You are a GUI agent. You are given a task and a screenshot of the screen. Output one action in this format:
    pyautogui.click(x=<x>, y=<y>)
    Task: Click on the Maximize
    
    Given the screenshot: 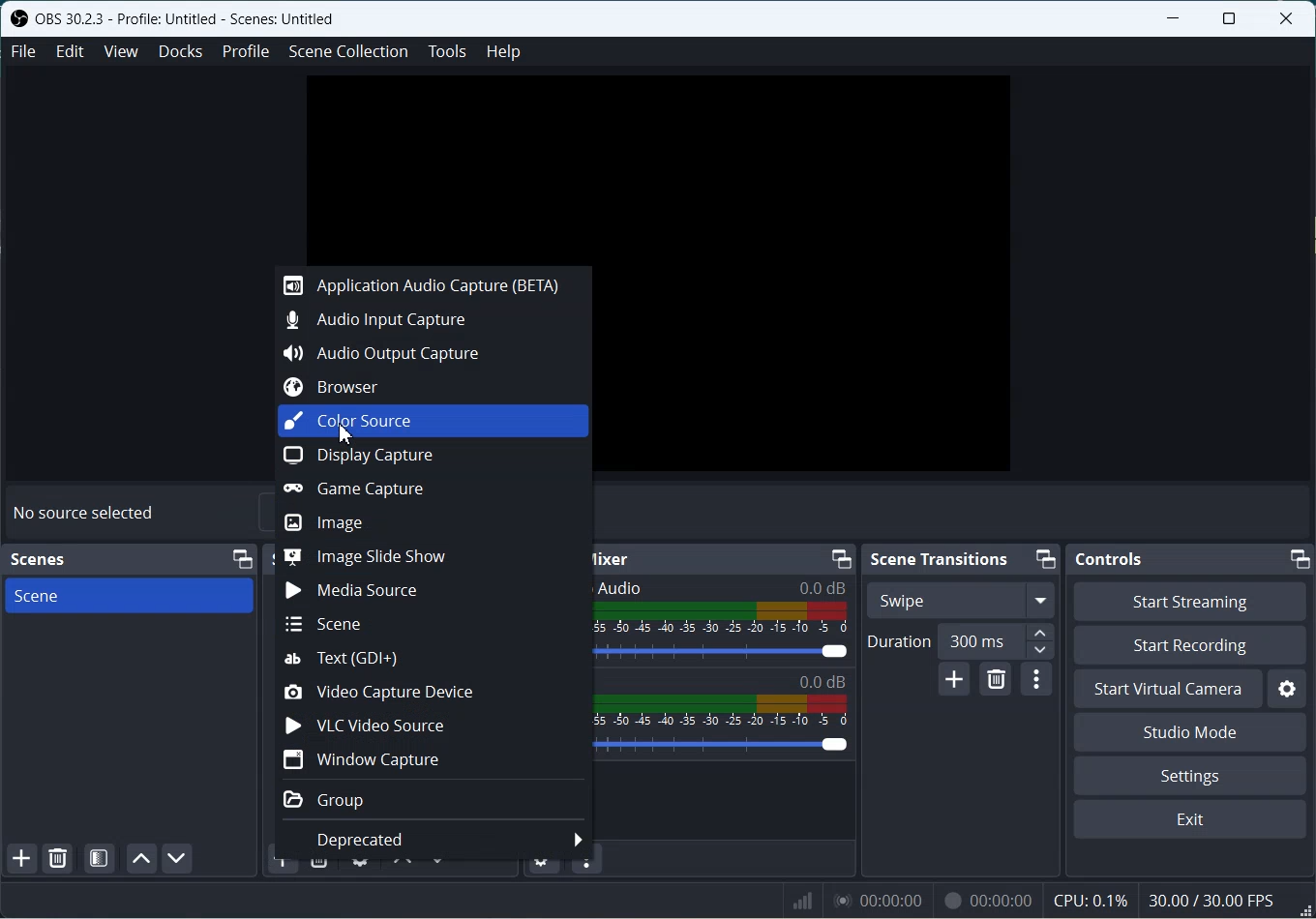 What is the action you would take?
    pyautogui.click(x=1230, y=18)
    